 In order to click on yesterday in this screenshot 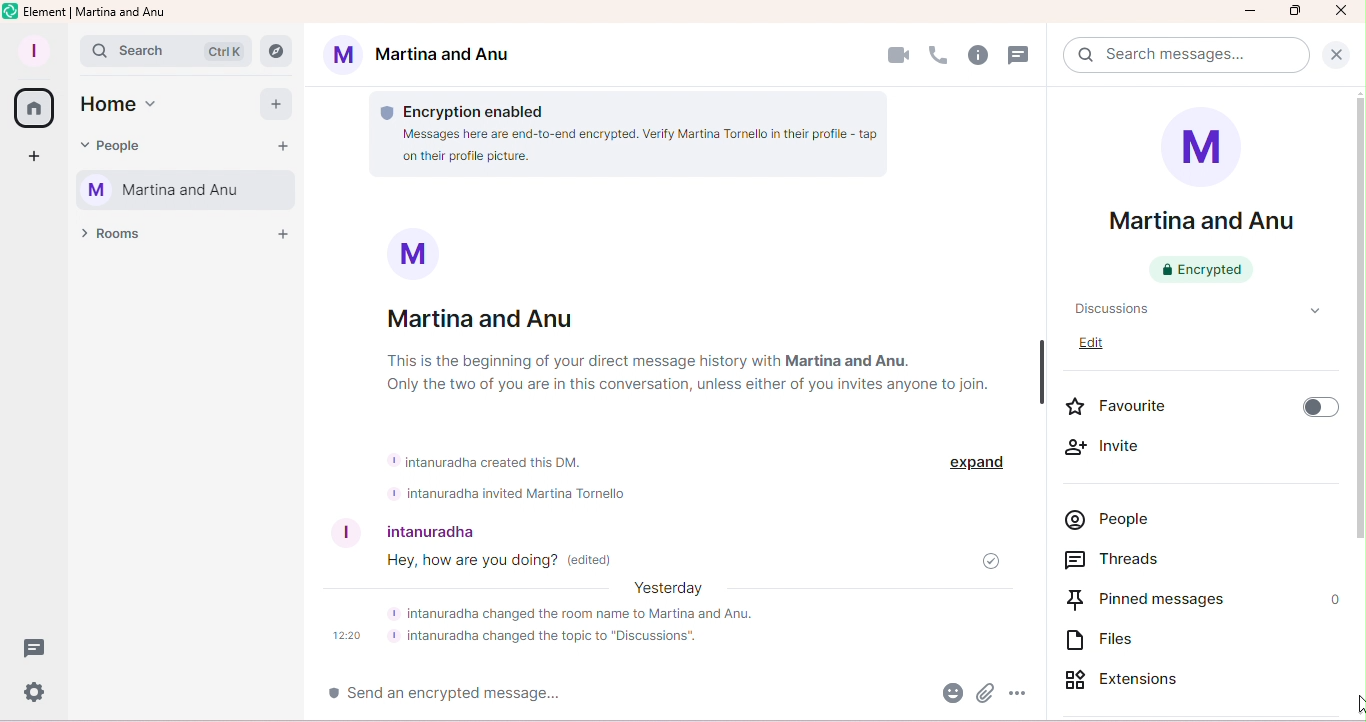, I will do `click(671, 592)`.